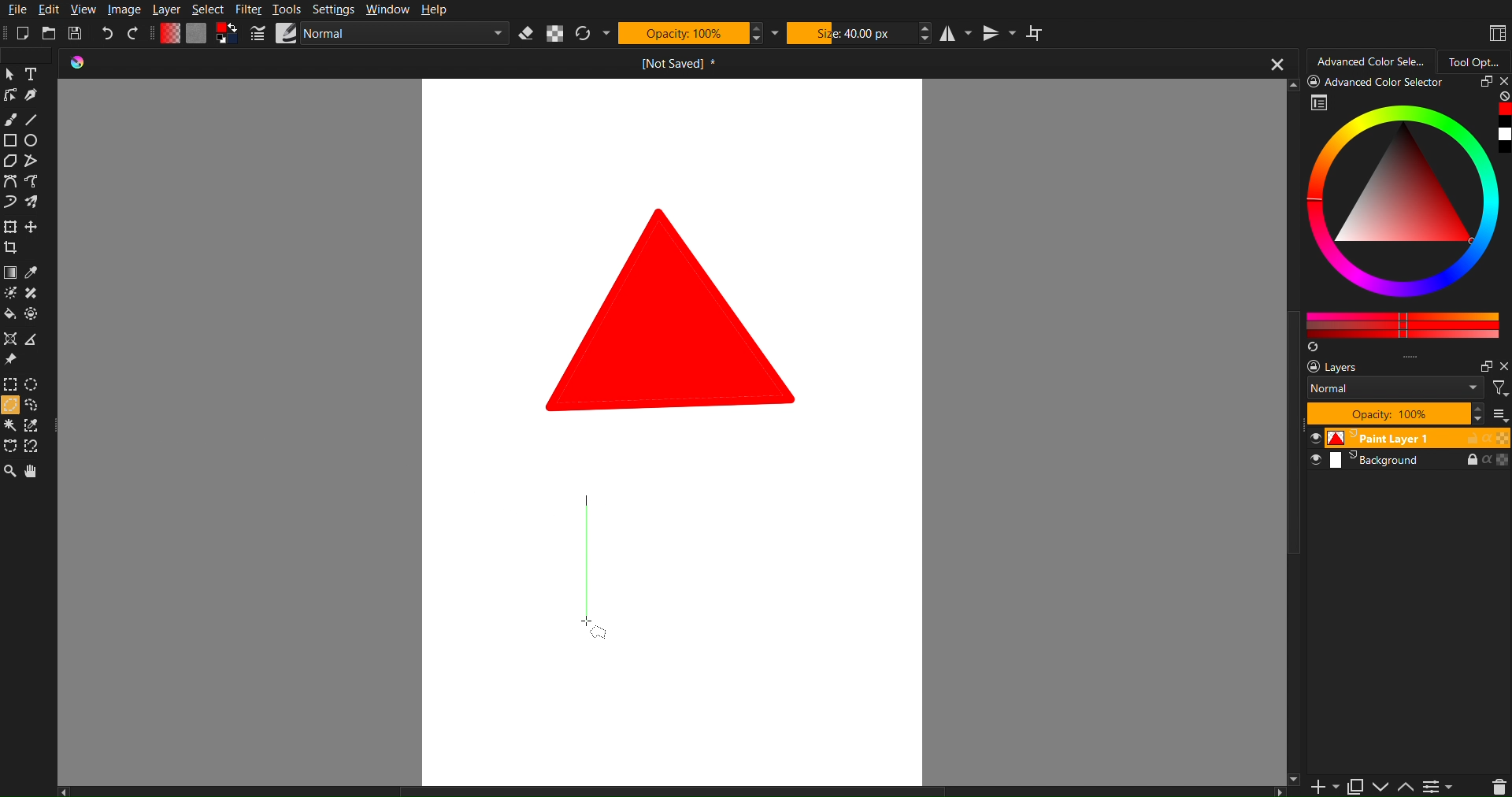  I want to click on Create, so click(33, 228).